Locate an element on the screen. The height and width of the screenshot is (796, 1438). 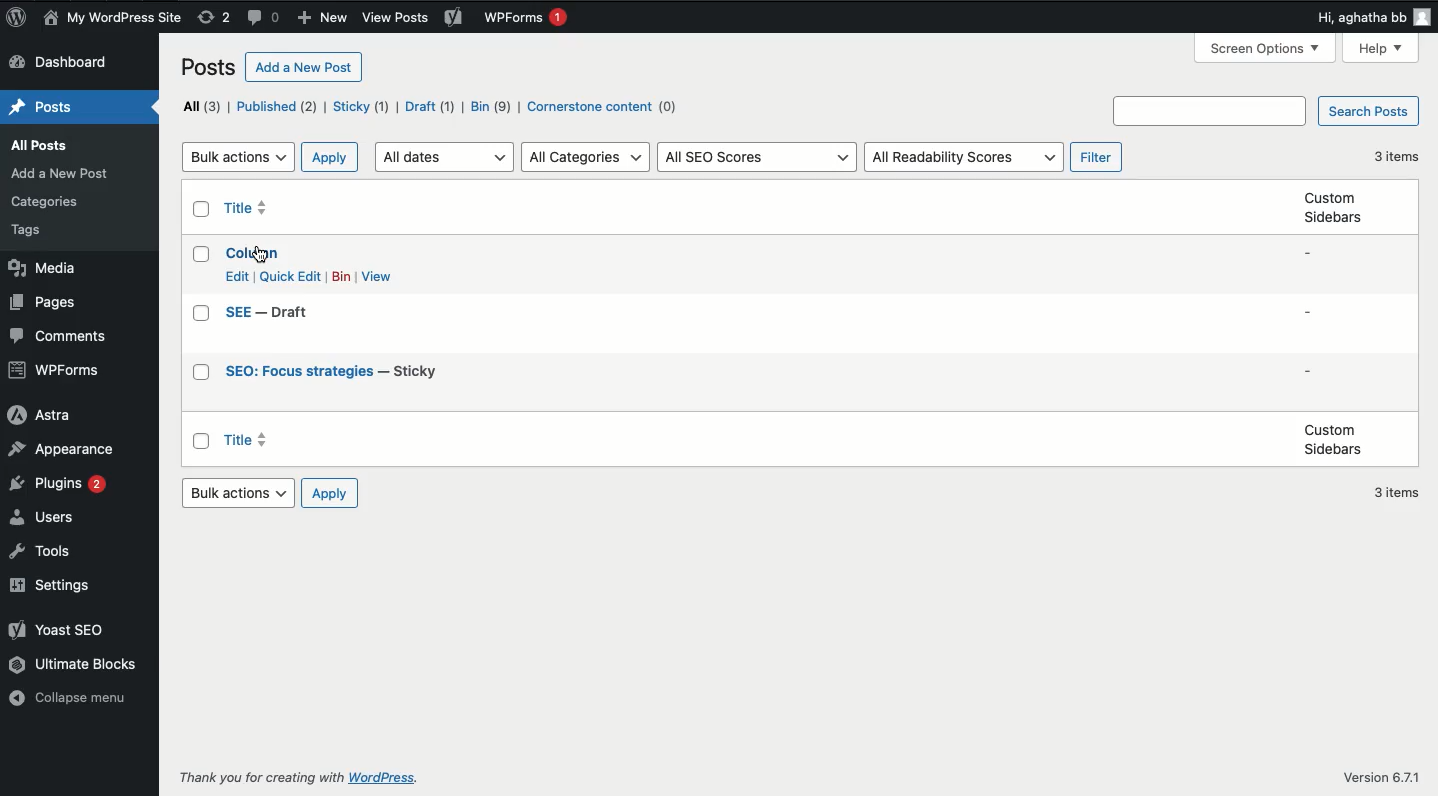
Posts is located at coordinates (41, 105).